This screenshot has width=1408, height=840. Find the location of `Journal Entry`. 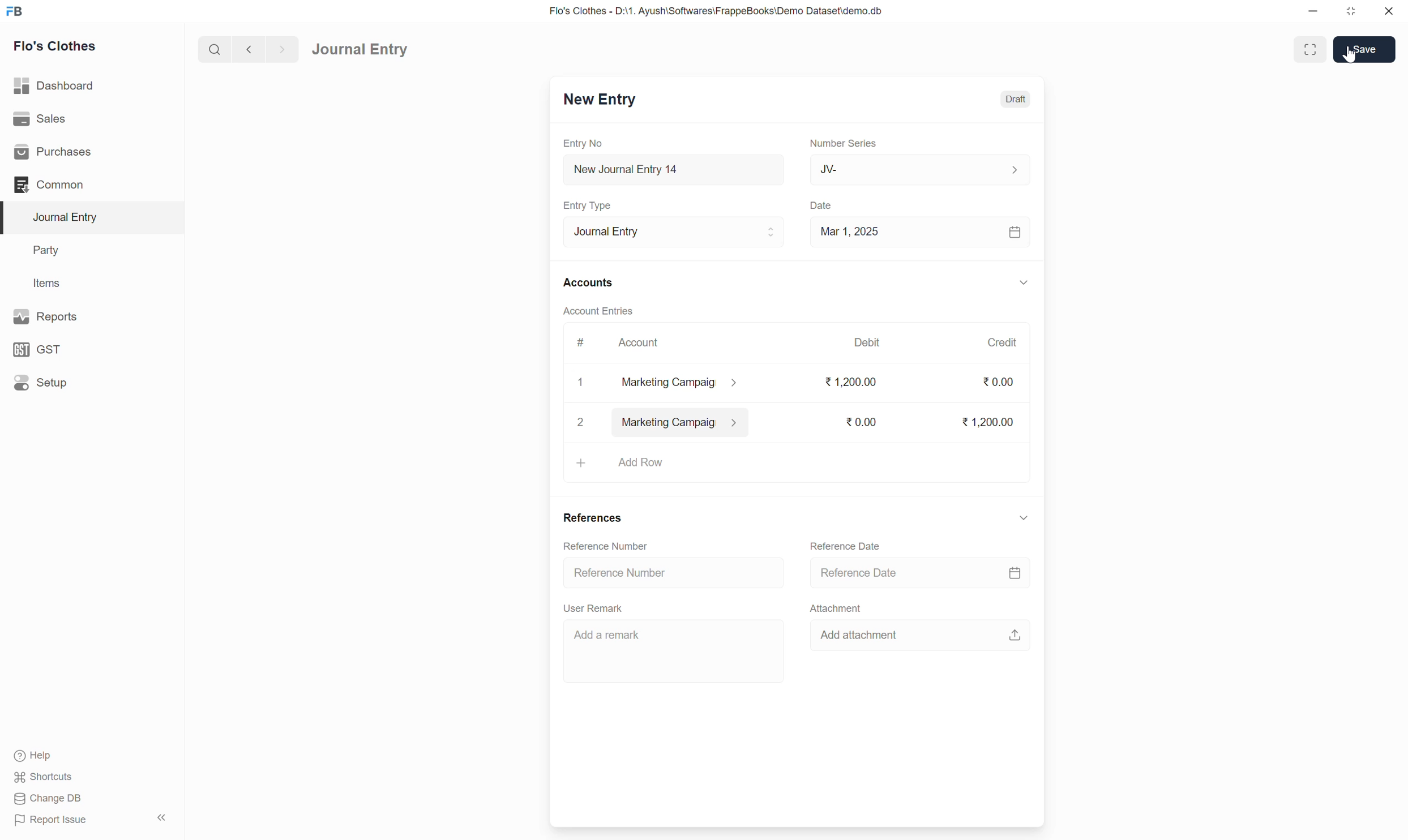

Journal Entry is located at coordinates (360, 50).